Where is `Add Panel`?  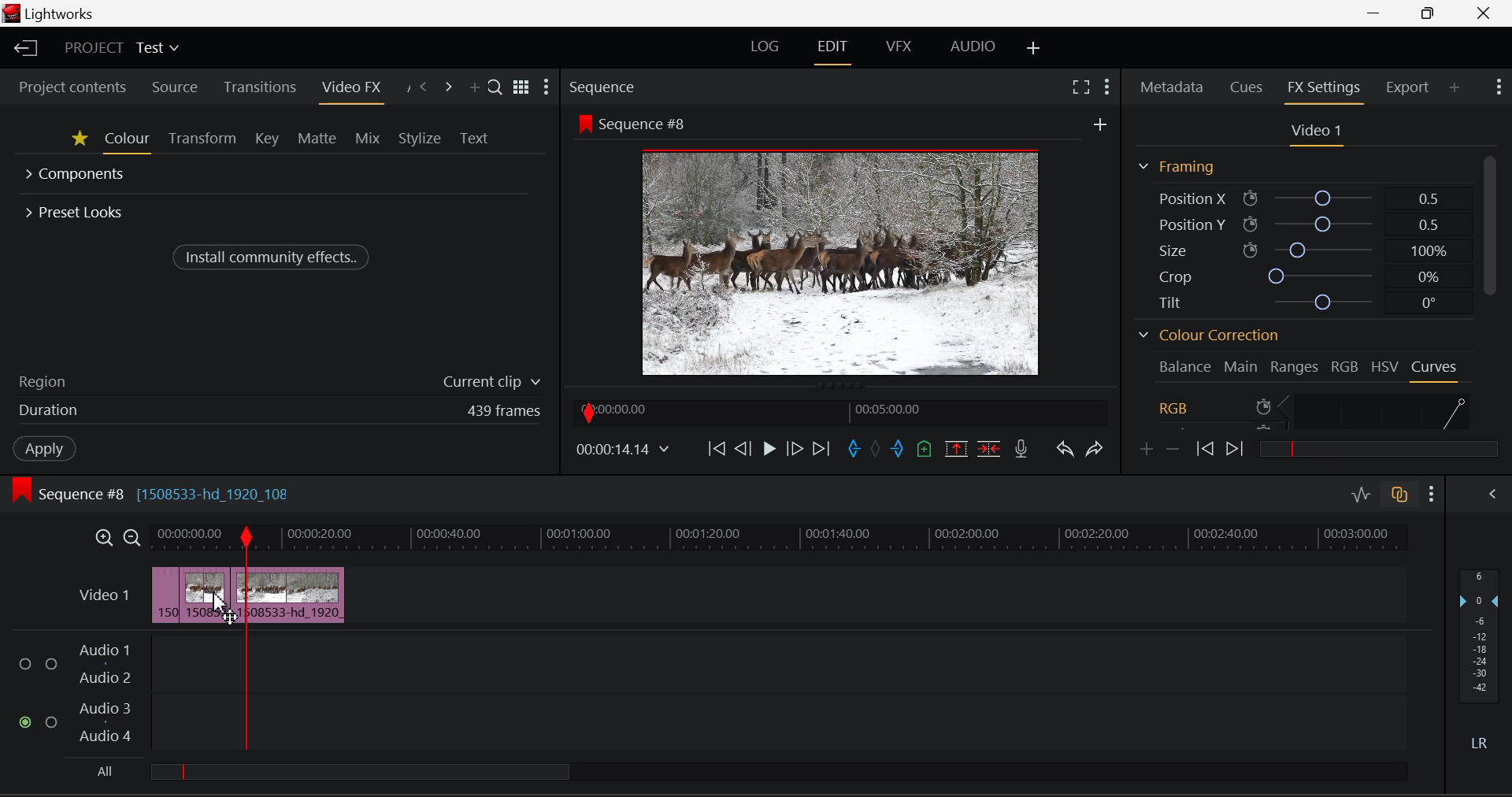 Add Panel is located at coordinates (472, 84).